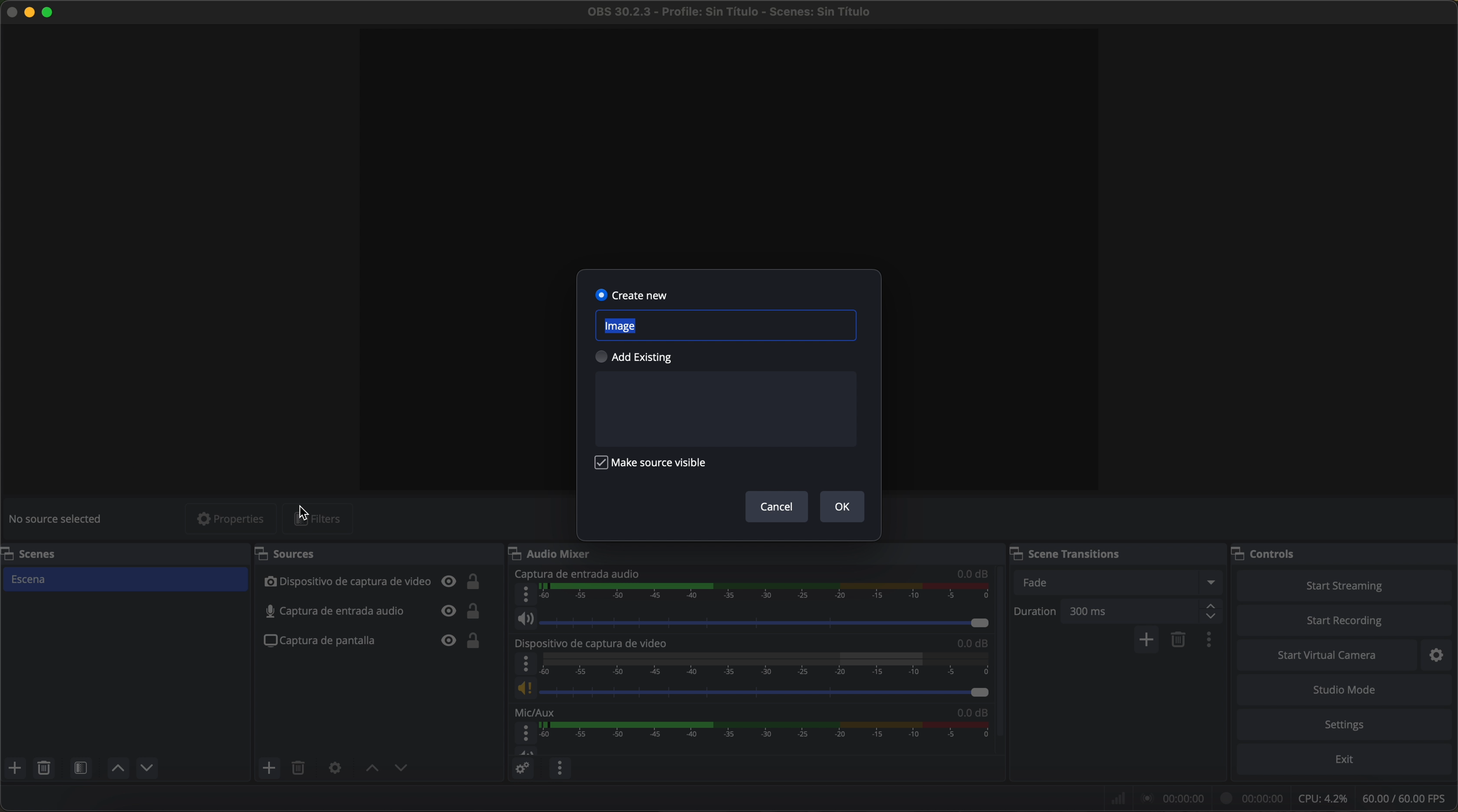 The image size is (1458, 812). What do you see at coordinates (1079, 552) in the screenshot?
I see `scene transitions` at bounding box center [1079, 552].